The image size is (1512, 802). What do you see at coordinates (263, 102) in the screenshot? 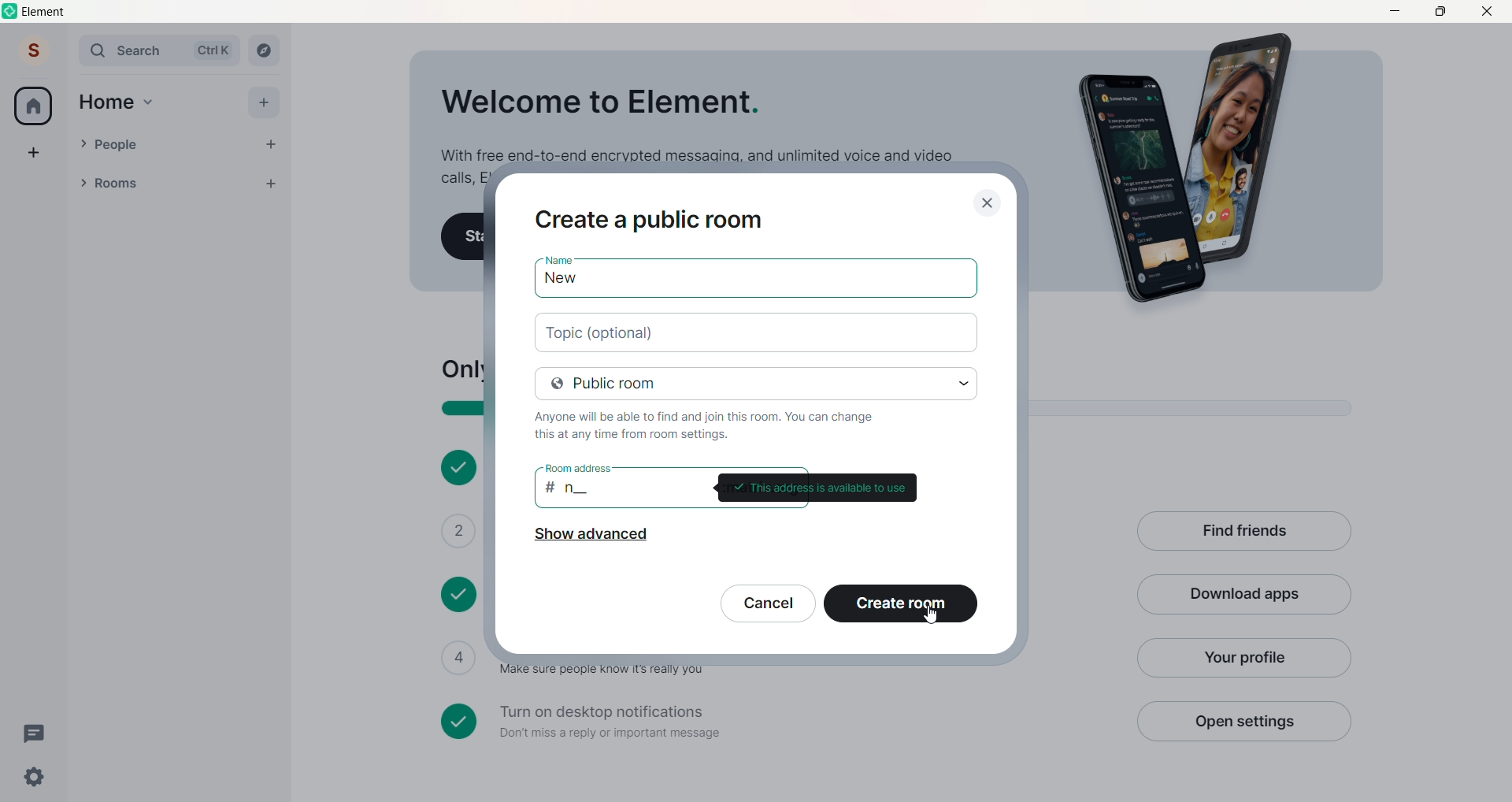
I see `Add` at bounding box center [263, 102].